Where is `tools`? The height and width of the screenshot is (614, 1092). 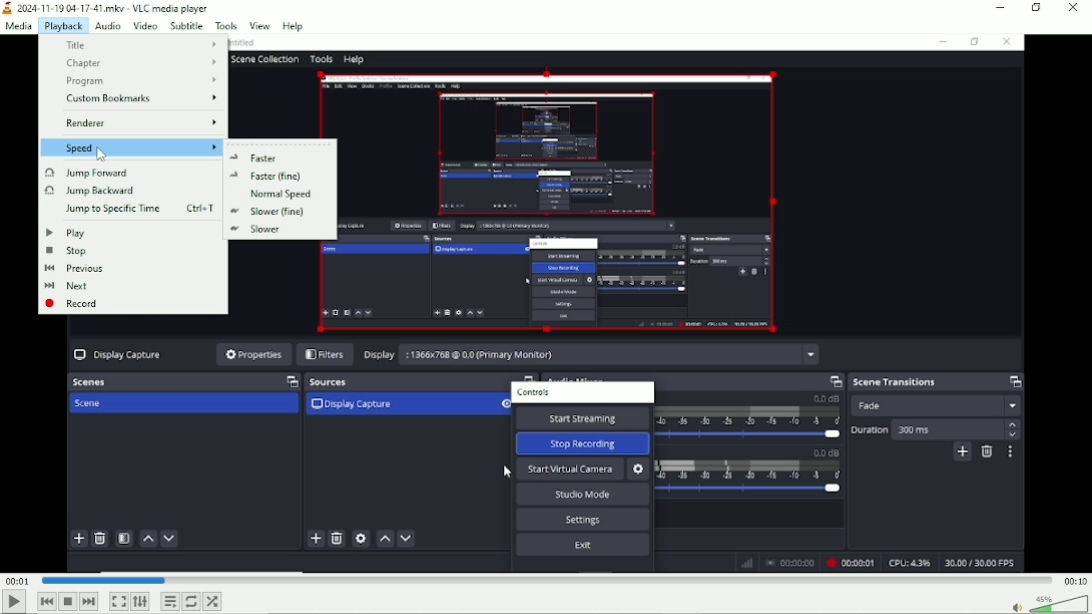 tools is located at coordinates (224, 25).